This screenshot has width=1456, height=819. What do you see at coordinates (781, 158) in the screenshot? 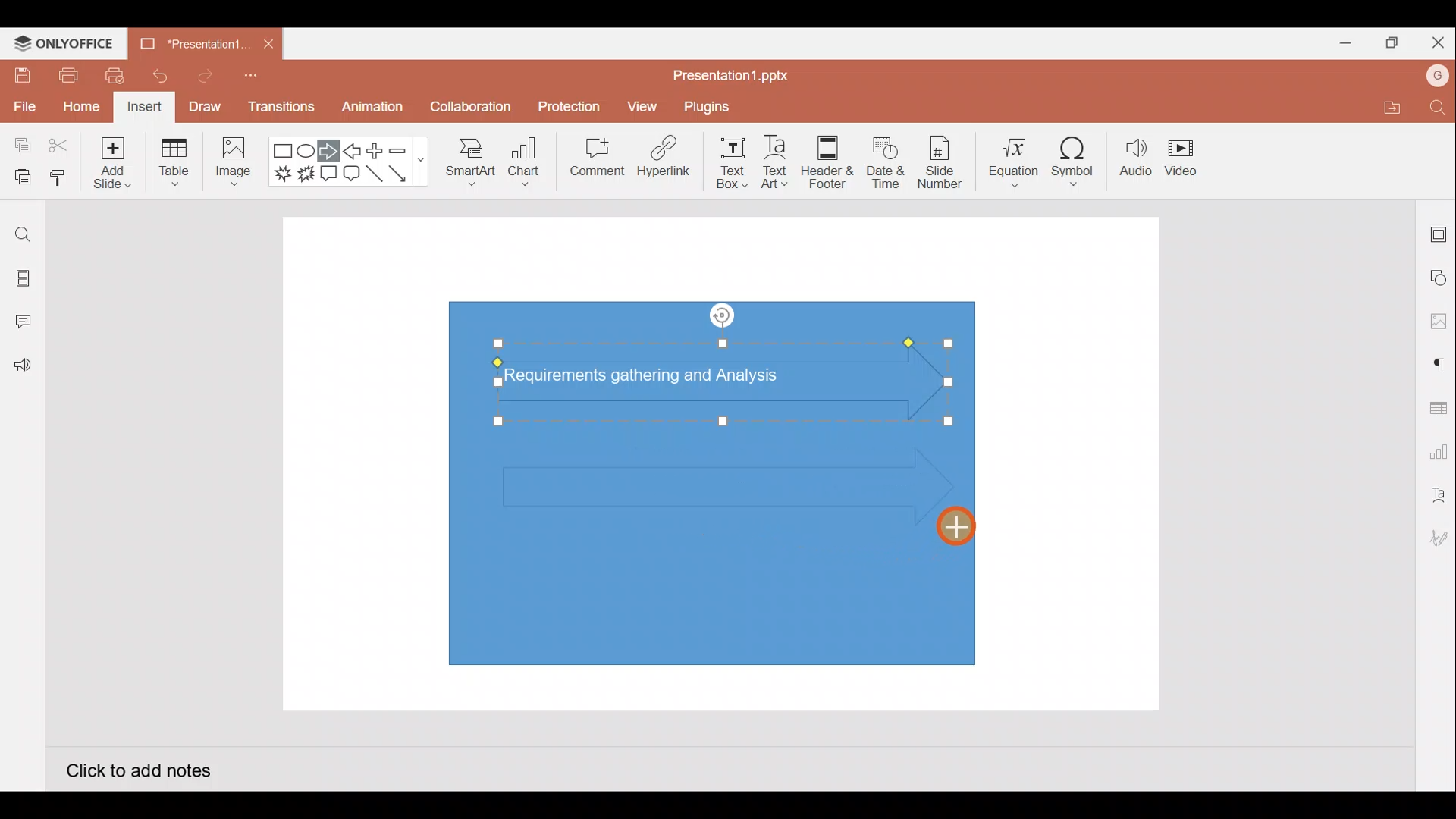
I see `Text Art` at bounding box center [781, 158].